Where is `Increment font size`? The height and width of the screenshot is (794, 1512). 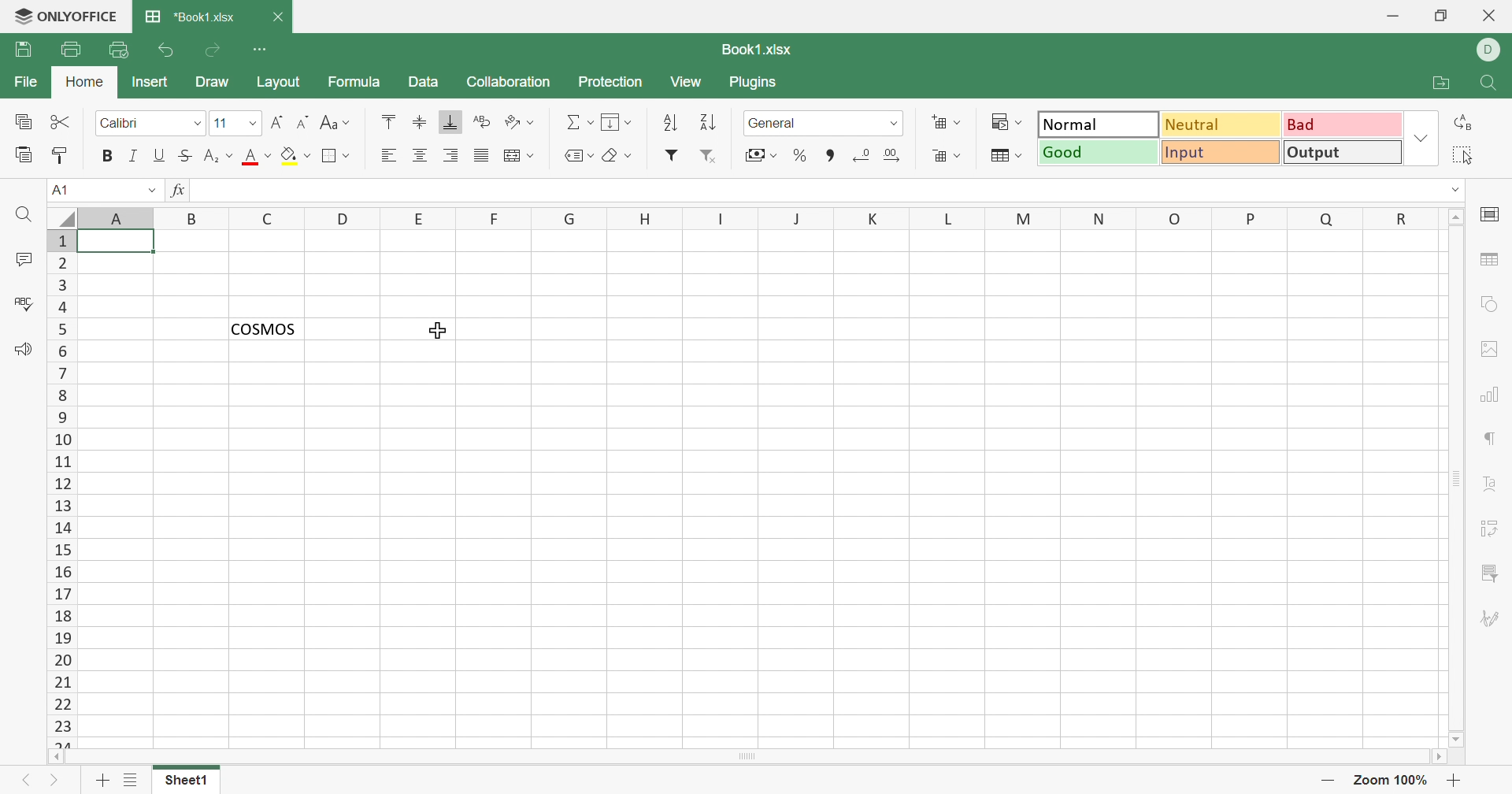
Increment font size is located at coordinates (279, 121).